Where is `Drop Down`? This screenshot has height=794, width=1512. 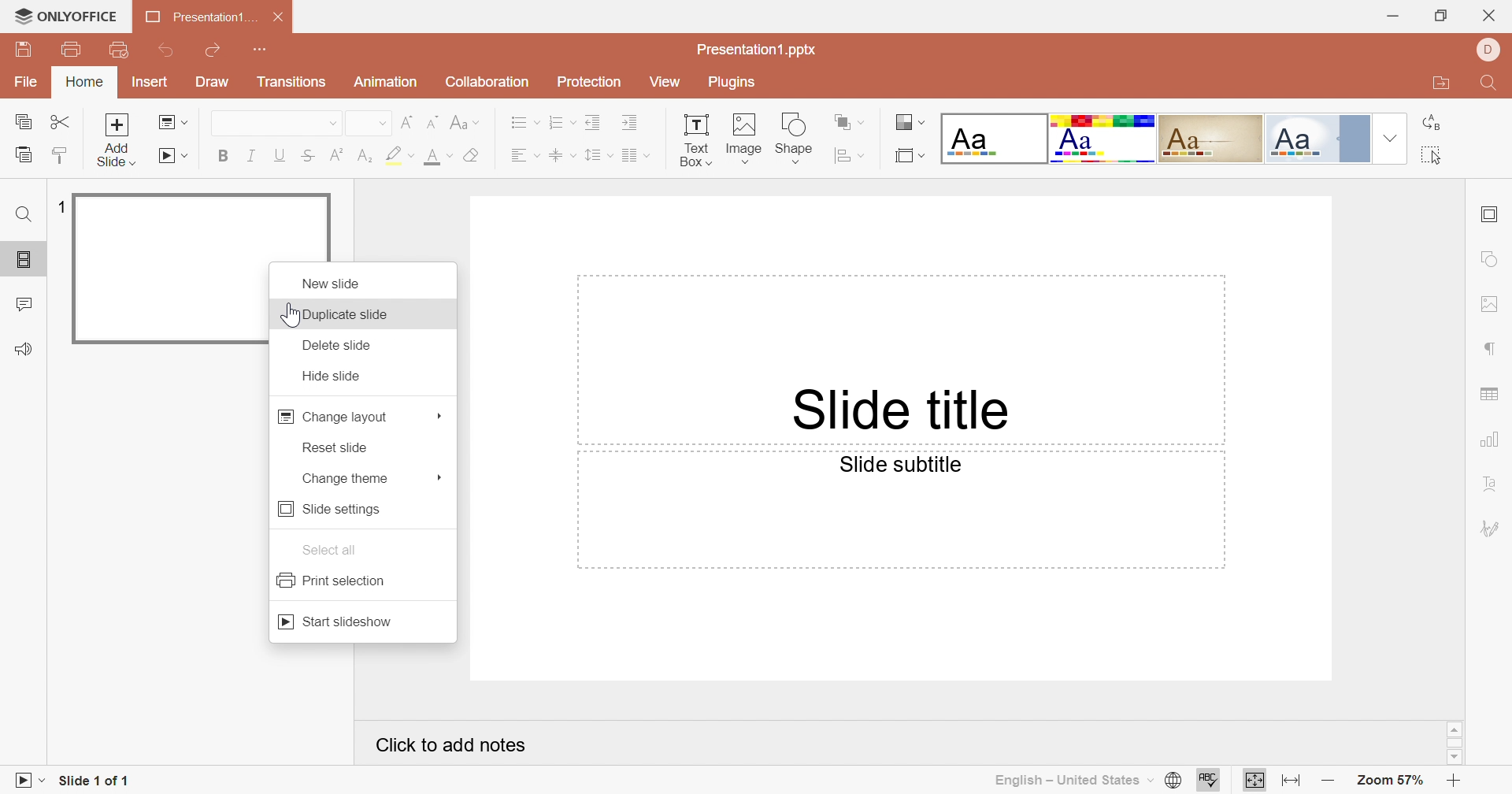
Drop Down is located at coordinates (333, 123).